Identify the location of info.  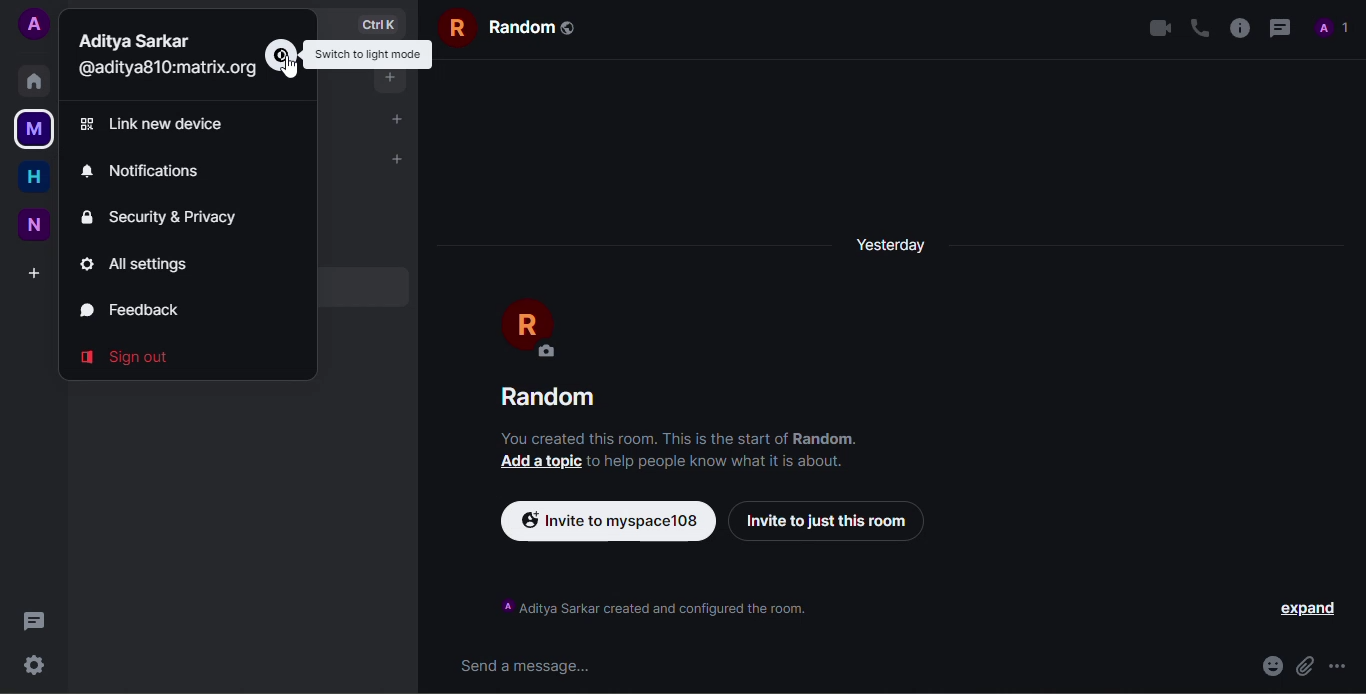
(681, 438).